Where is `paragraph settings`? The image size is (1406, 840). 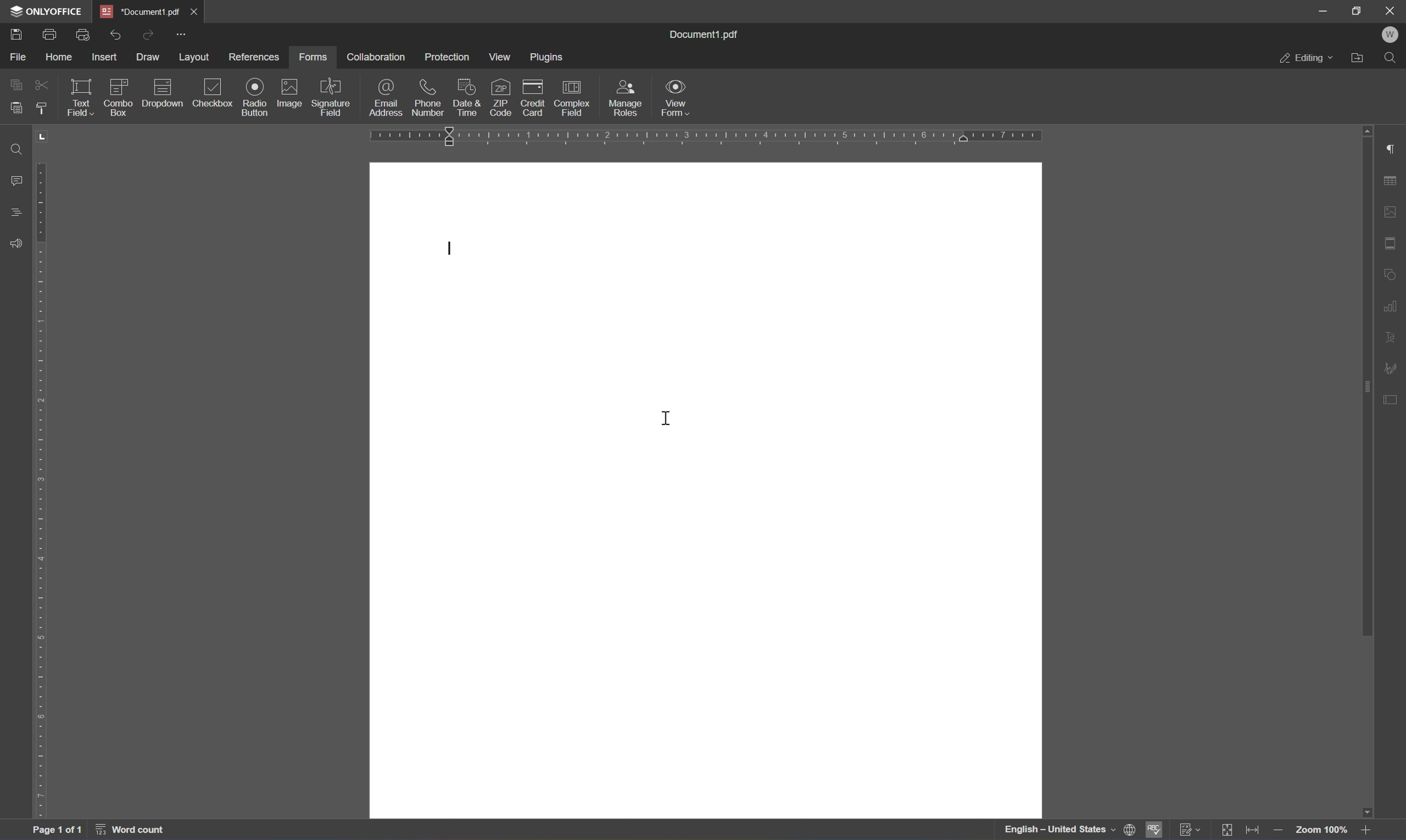 paragraph settings is located at coordinates (1393, 144).